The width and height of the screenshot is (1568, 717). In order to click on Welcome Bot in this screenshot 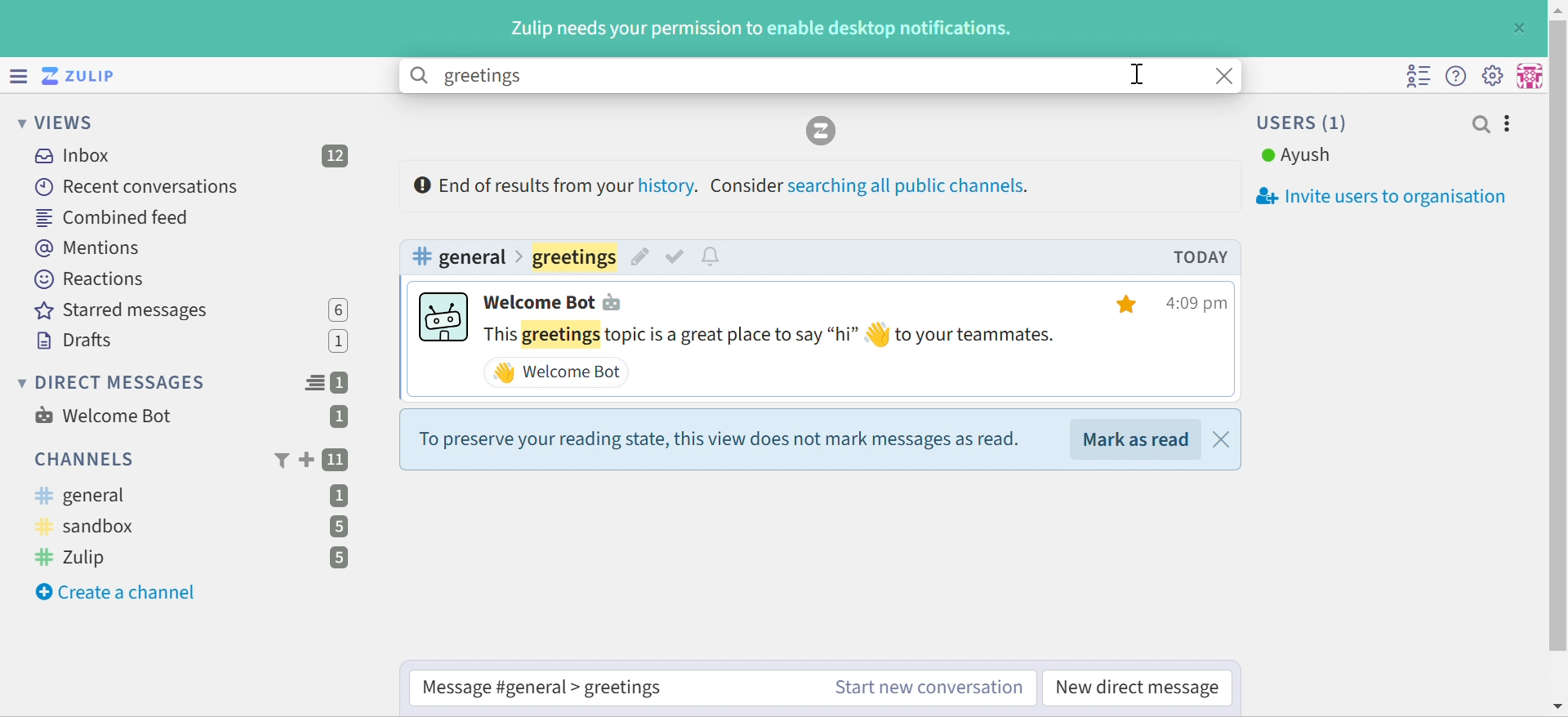, I will do `click(557, 372)`.